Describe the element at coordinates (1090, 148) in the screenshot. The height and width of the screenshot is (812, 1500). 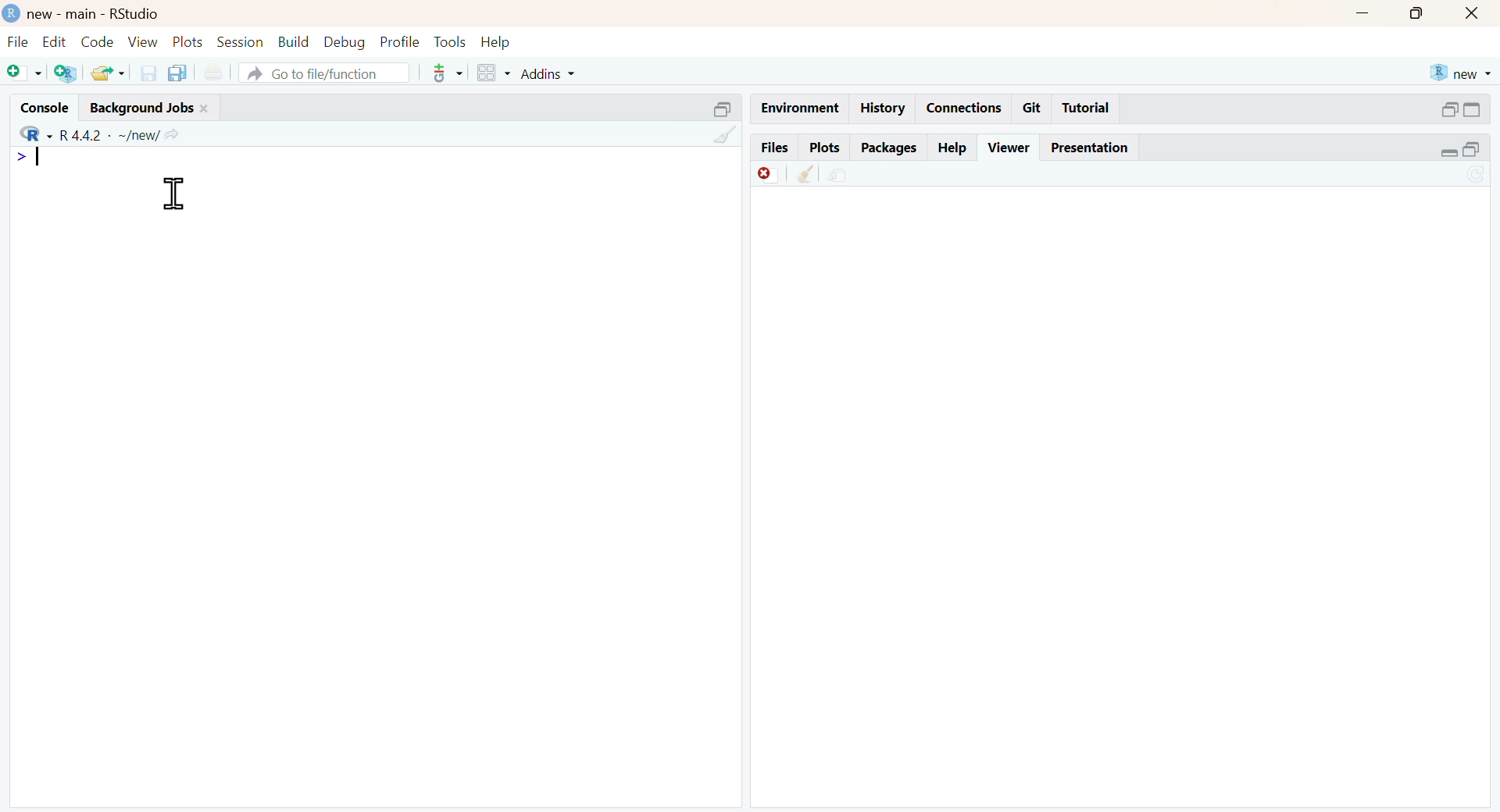
I see `presentation` at that location.